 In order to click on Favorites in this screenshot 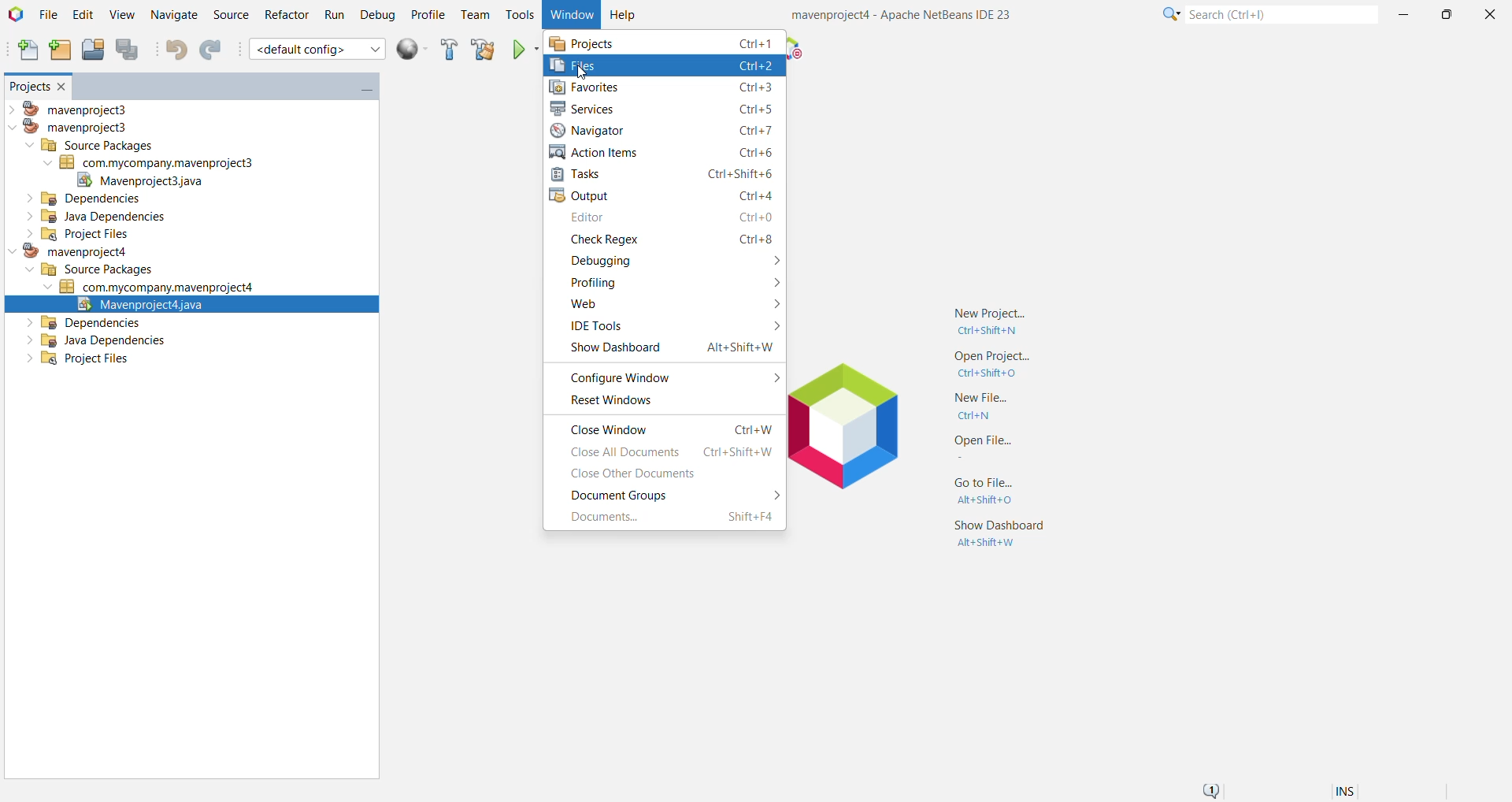, I will do `click(667, 88)`.